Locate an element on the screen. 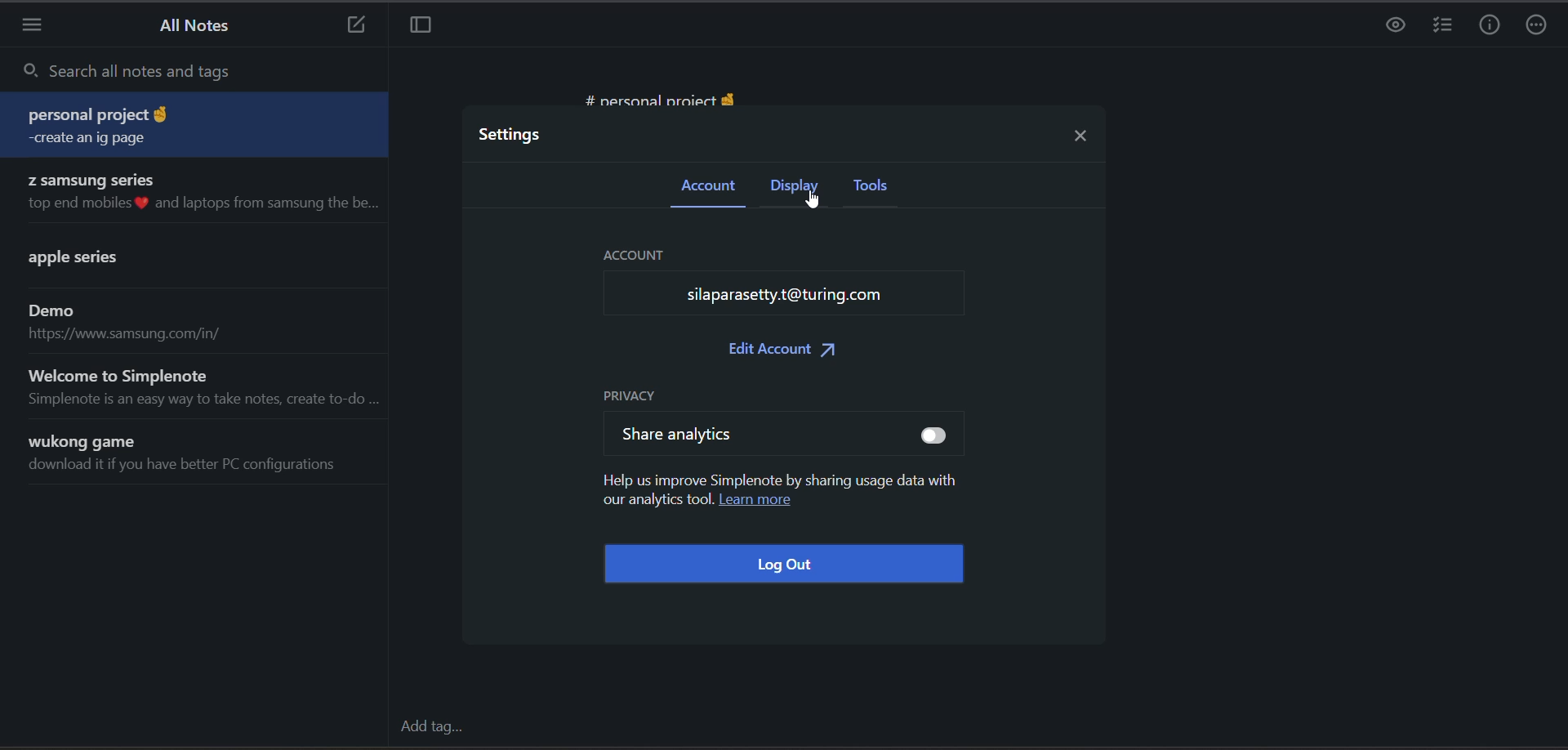 This screenshot has height=750, width=1568. all notes is located at coordinates (190, 27).